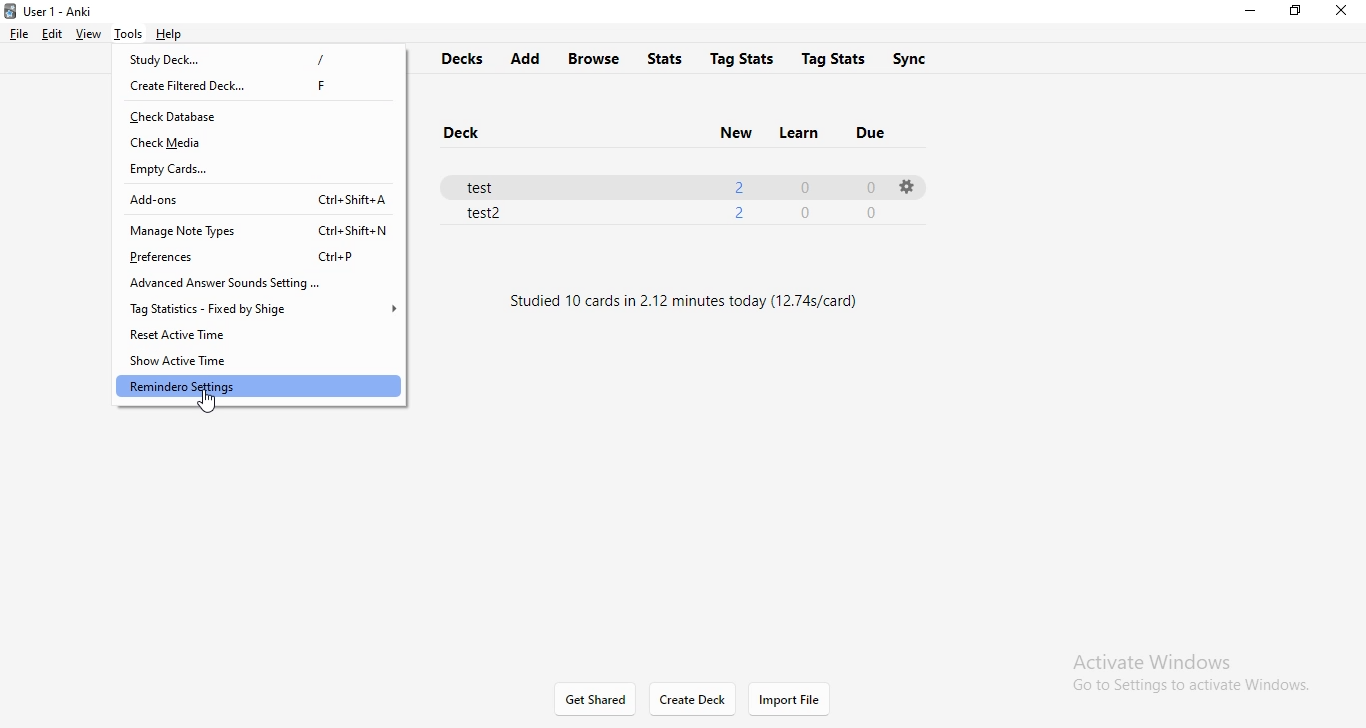 This screenshot has height=728, width=1366. Describe the element at coordinates (58, 12) in the screenshot. I see `Anki` at that location.